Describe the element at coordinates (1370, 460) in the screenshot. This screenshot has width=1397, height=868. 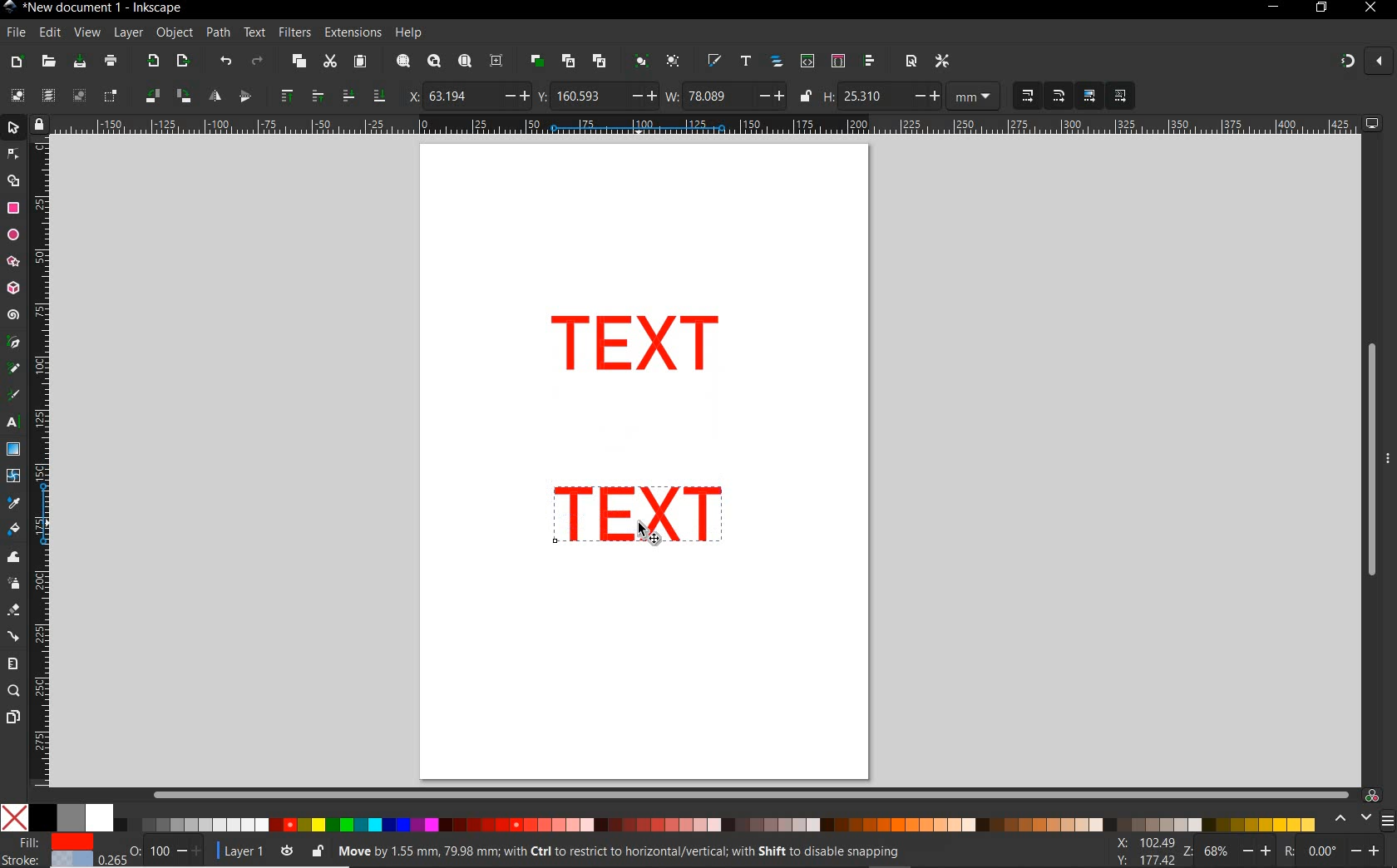
I see `scrollbar` at that location.